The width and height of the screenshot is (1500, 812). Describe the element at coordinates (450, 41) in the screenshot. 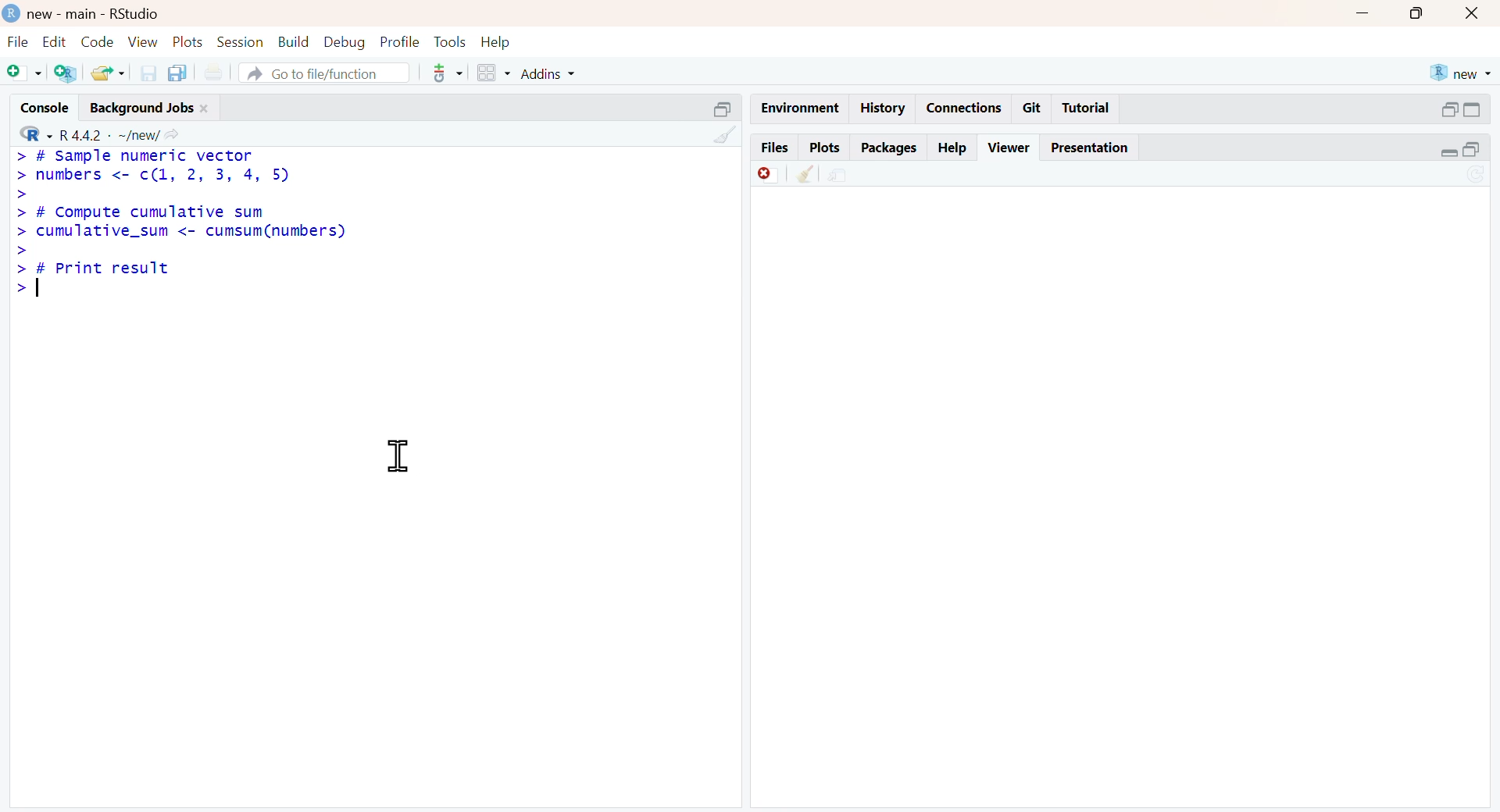

I see `tools` at that location.